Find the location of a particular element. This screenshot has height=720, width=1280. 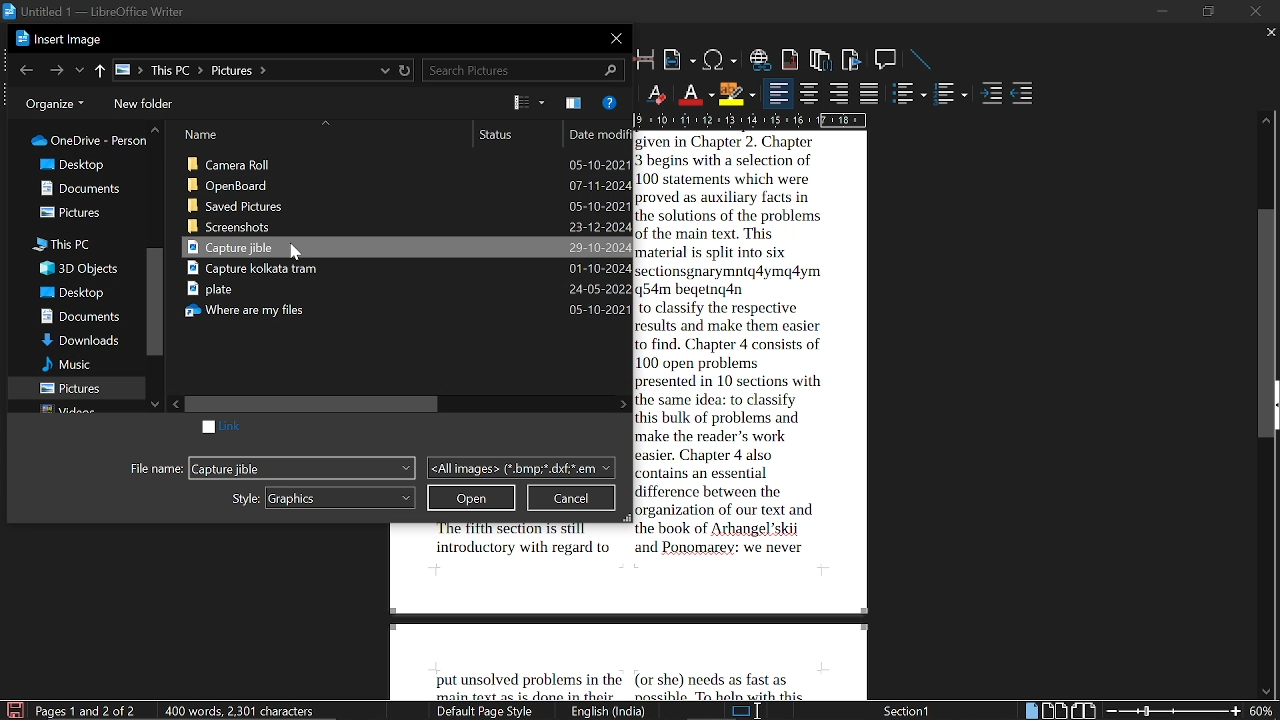

multiple page view is located at coordinates (1055, 710).